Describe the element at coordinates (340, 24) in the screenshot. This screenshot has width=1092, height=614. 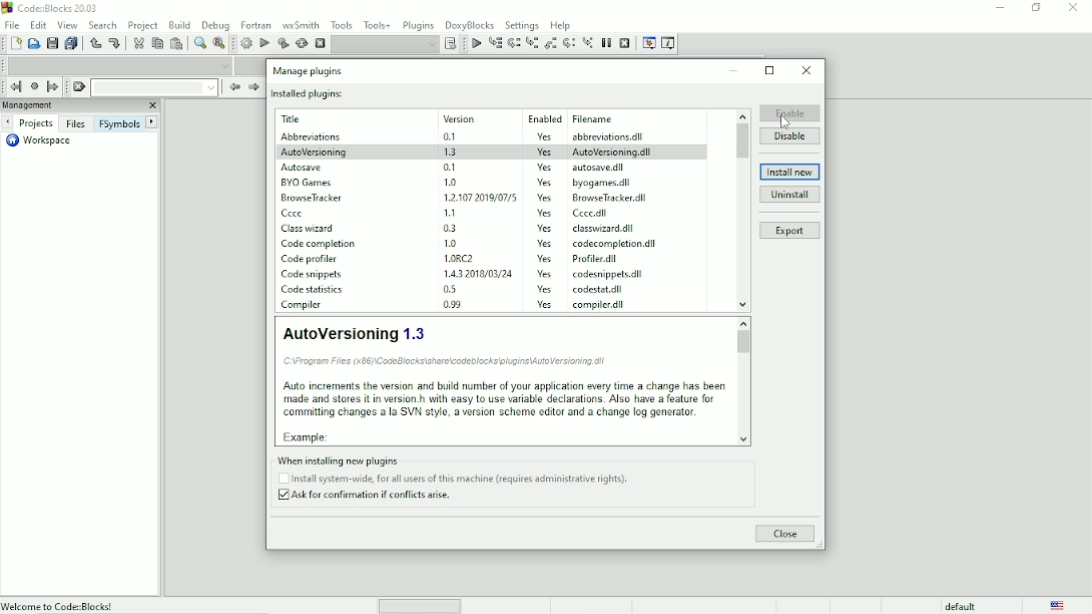
I see `Tools` at that location.